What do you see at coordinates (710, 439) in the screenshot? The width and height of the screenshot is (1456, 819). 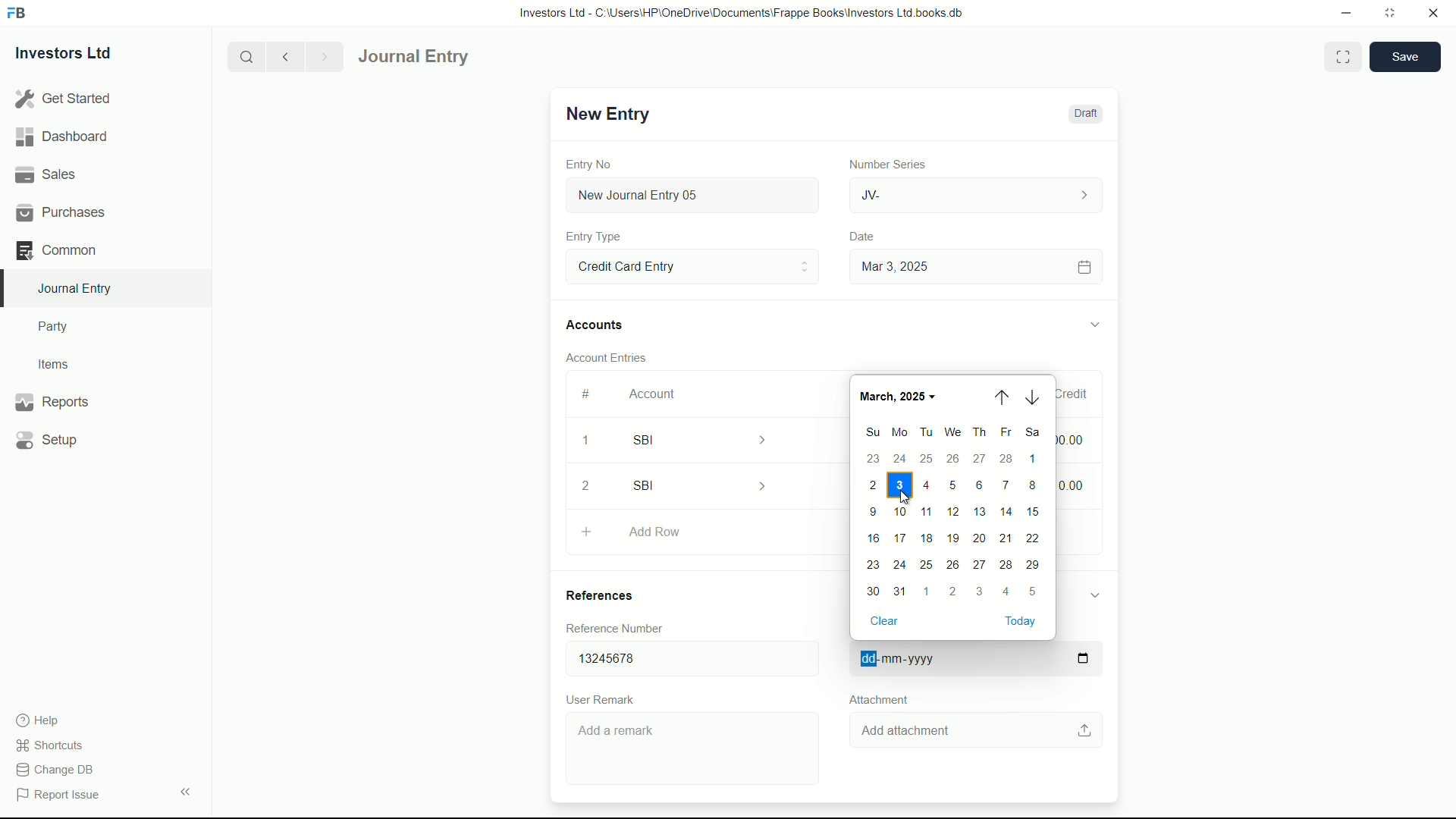 I see `SBI` at bounding box center [710, 439].